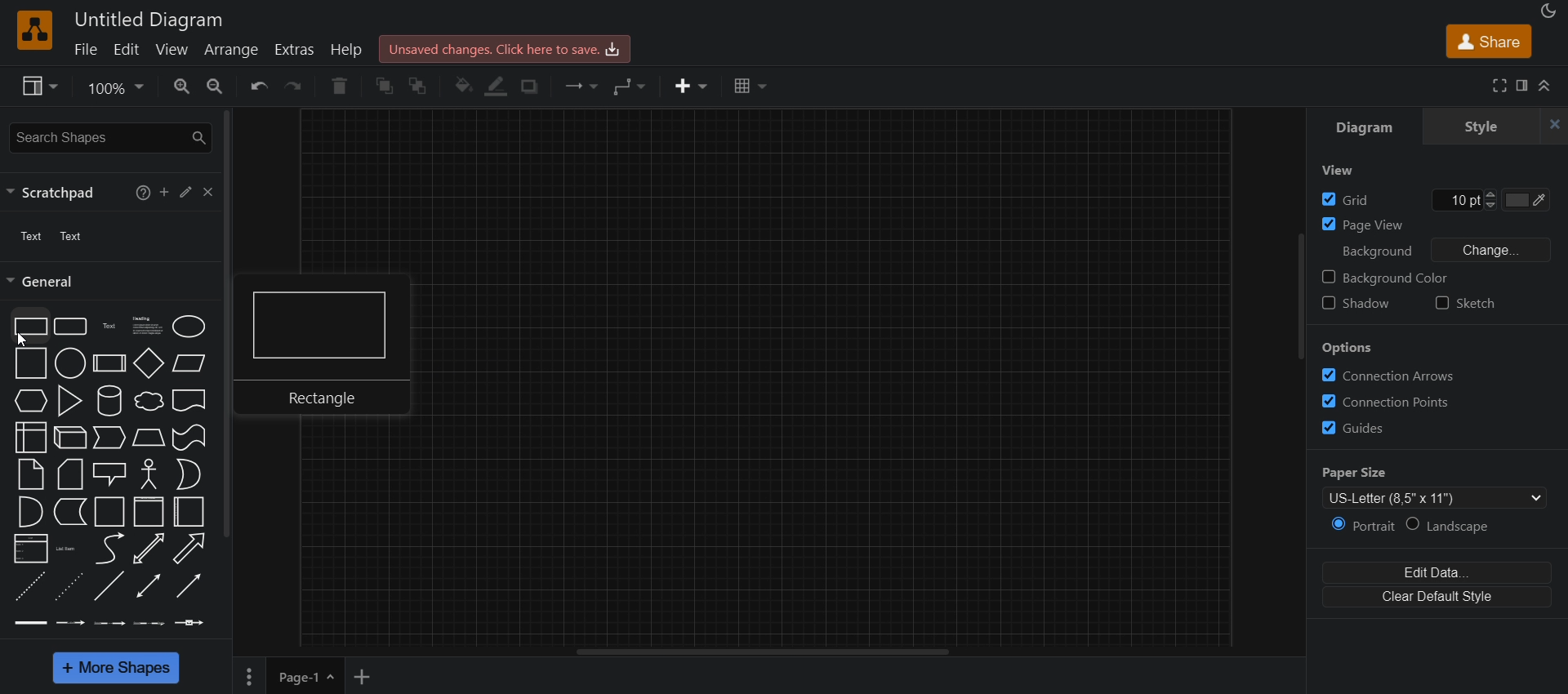 The width and height of the screenshot is (1568, 694). I want to click on callout, so click(109, 474).